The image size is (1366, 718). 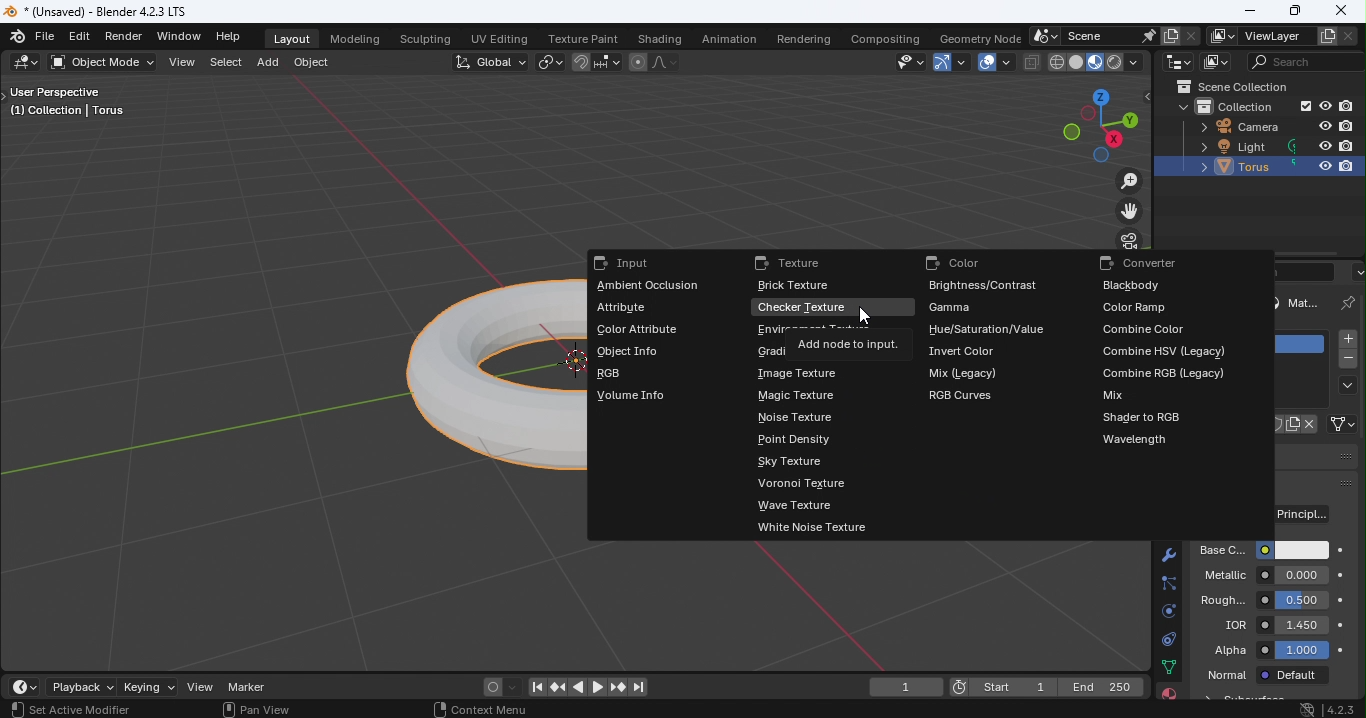 I want to click on Magic texture, so click(x=798, y=397).